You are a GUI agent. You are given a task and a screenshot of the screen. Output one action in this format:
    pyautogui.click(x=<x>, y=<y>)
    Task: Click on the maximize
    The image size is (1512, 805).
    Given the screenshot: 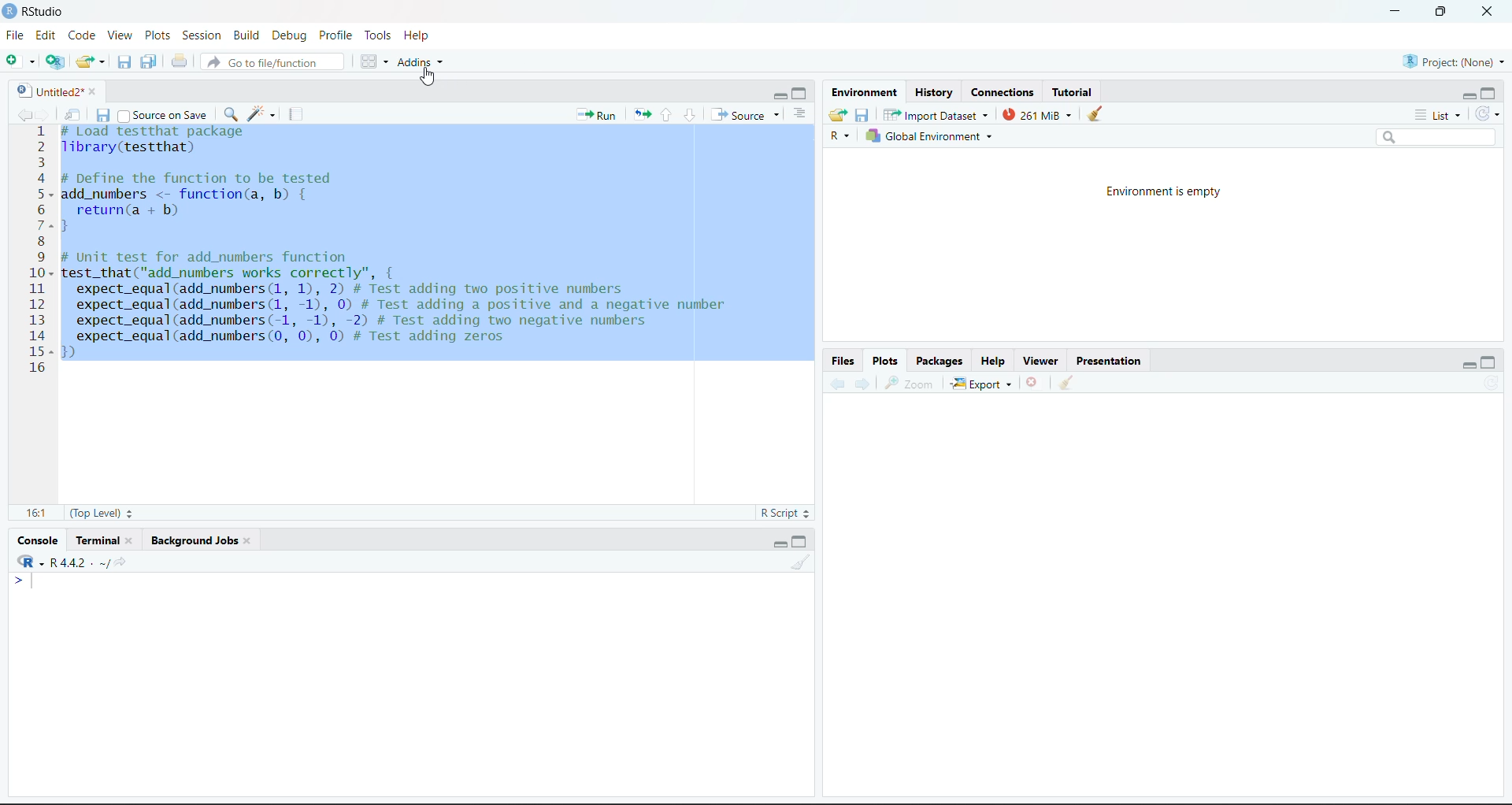 What is the action you would take?
    pyautogui.click(x=800, y=93)
    